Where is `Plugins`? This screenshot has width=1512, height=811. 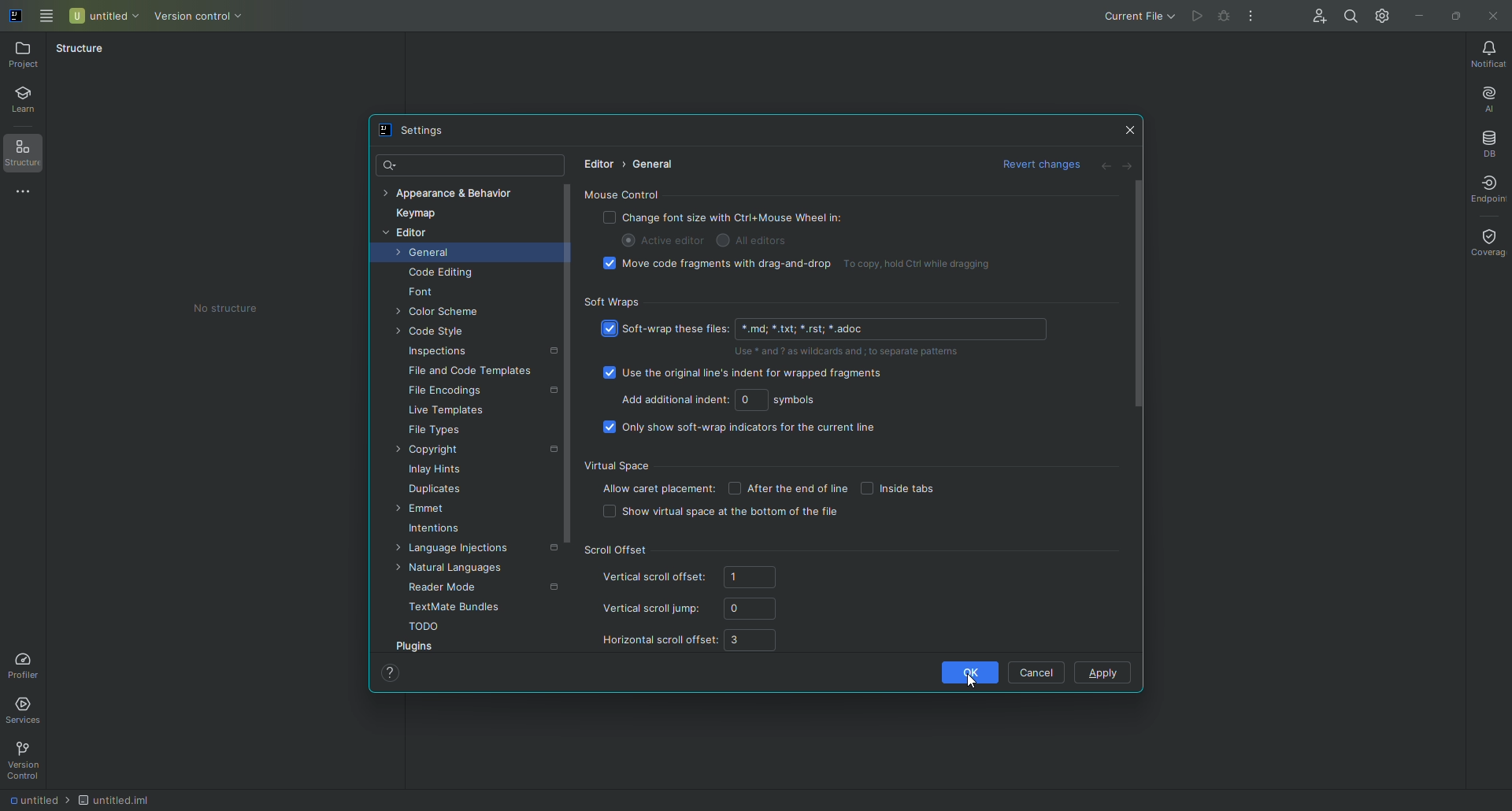 Plugins is located at coordinates (415, 645).